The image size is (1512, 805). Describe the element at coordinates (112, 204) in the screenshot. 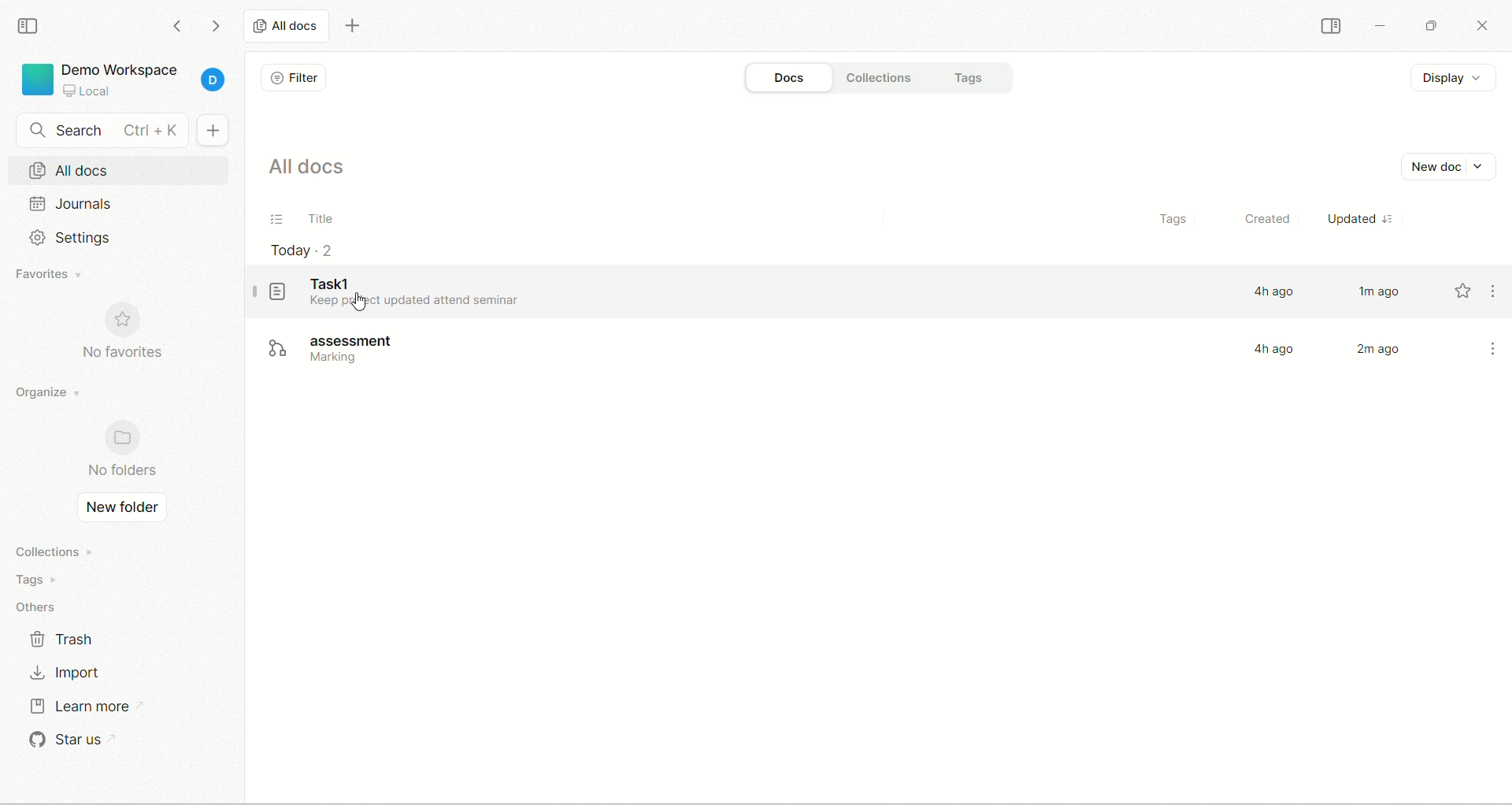

I see `journals` at that location.